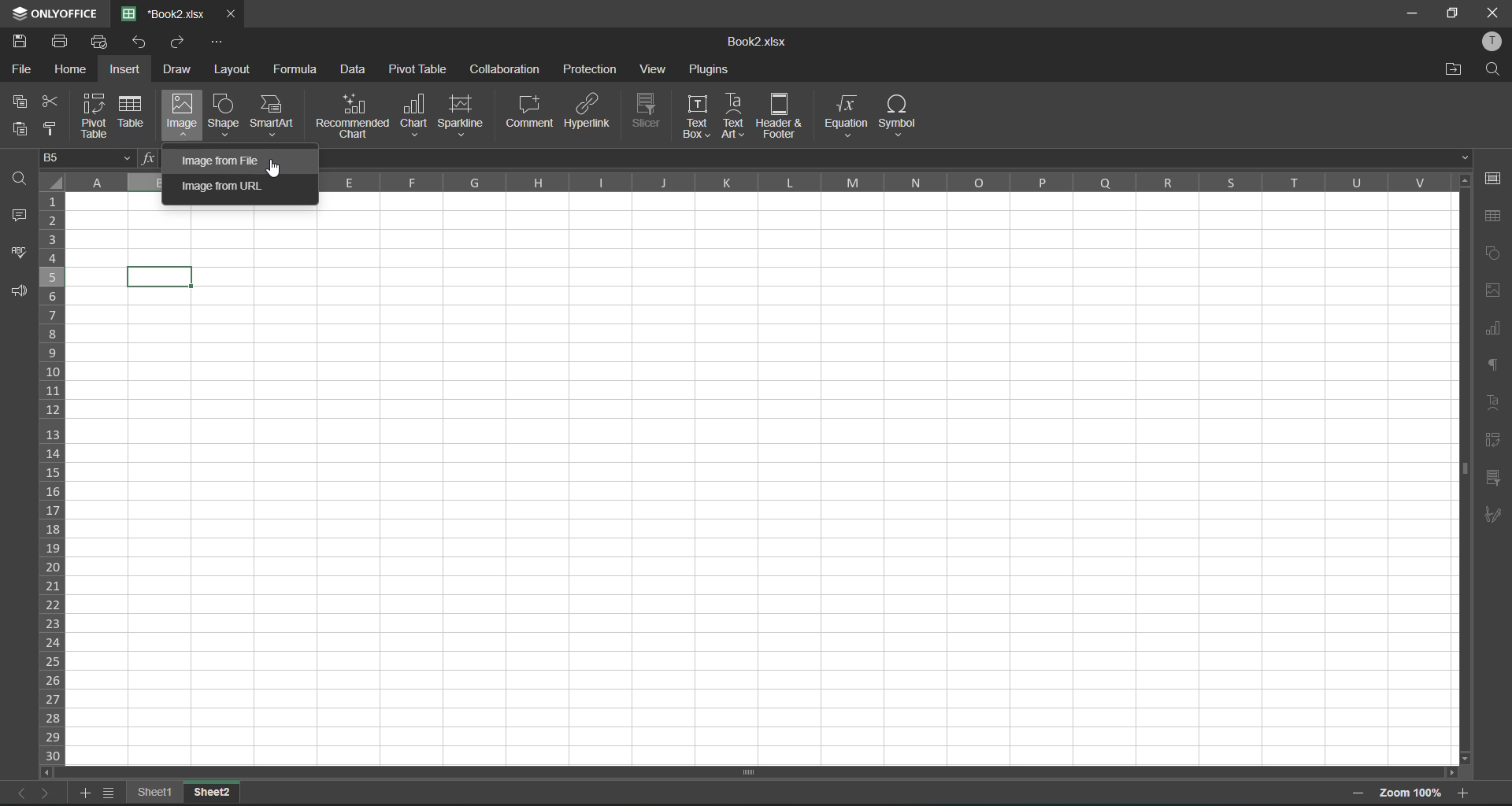  Describe the element at coordinates (20, 128) in the screenshot. I see `paste` at that location.